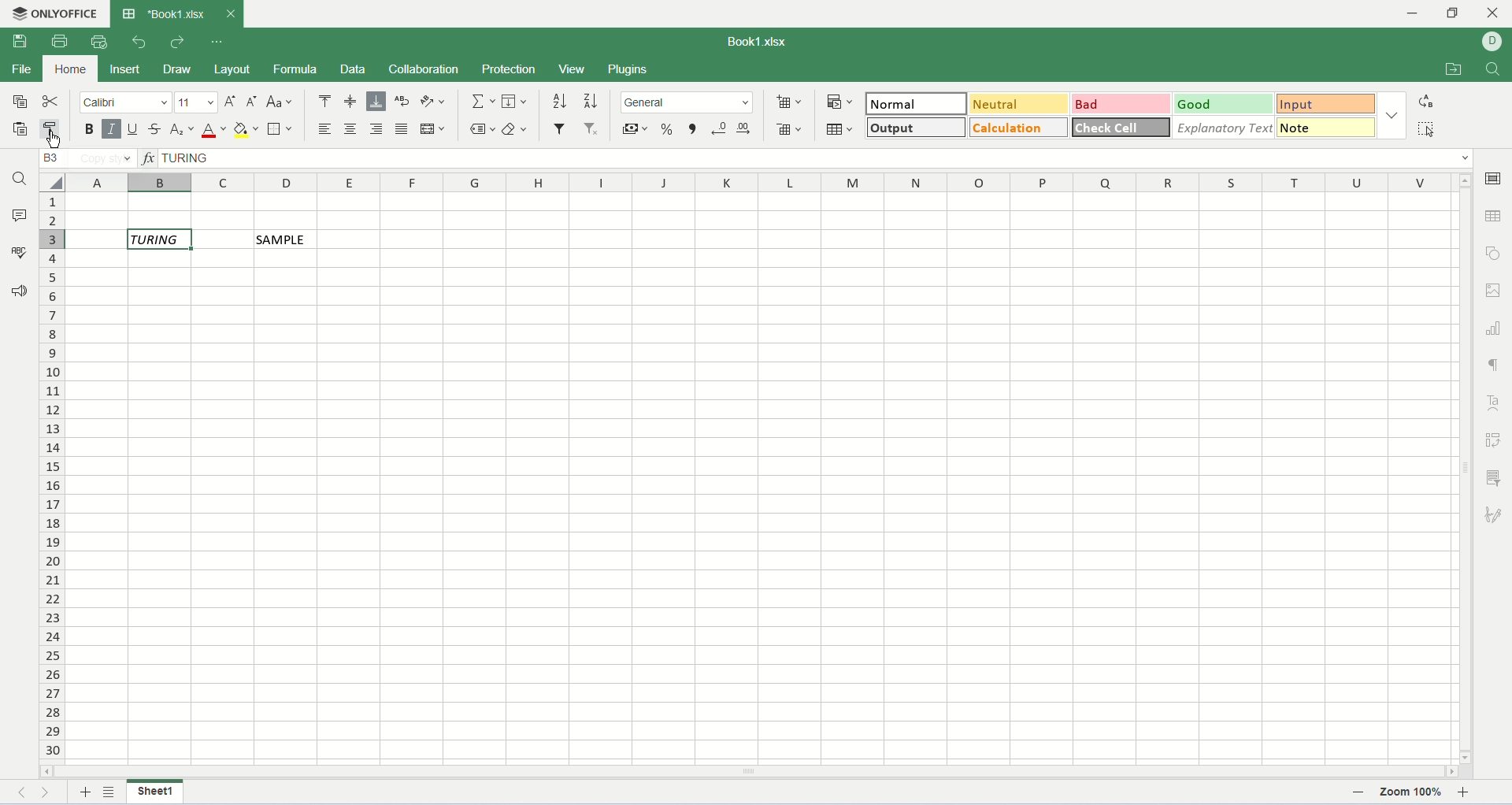  What do you see at coordinates (1495, 328) in the screenshot?
I see `chart settings` at bounding box center [1495, 328].